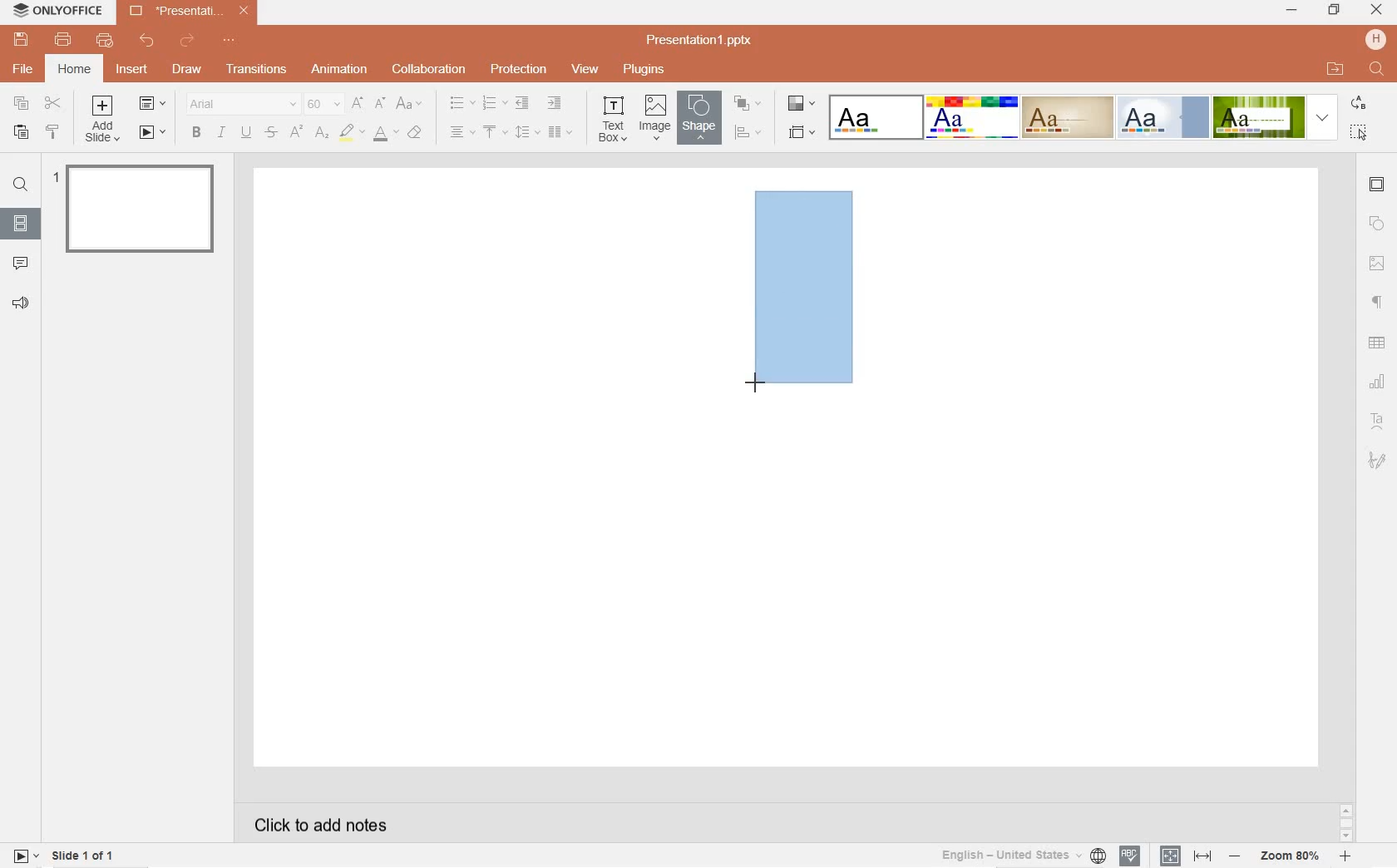 This screenshot has height=868, width=1397. I want to click on chart settings, so click(1379, 382).